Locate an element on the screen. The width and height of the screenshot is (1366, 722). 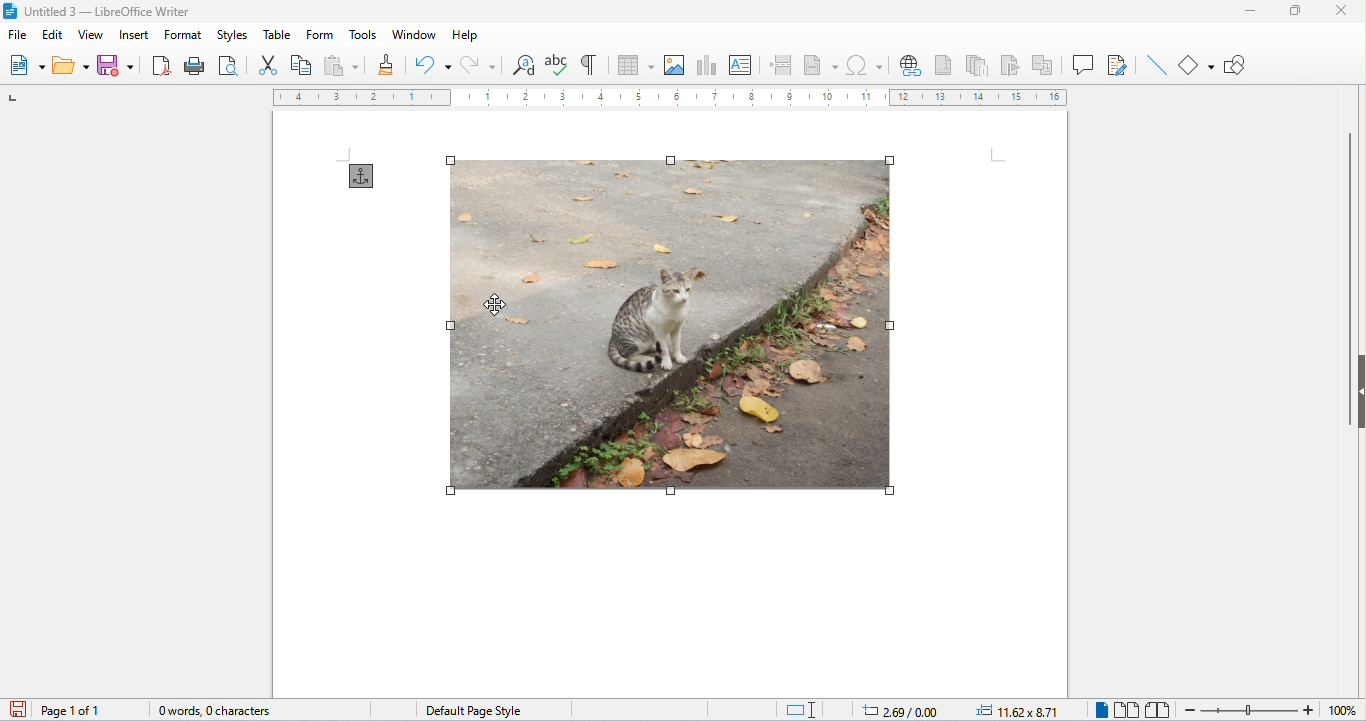
tools is located at coordinates (364, 33).